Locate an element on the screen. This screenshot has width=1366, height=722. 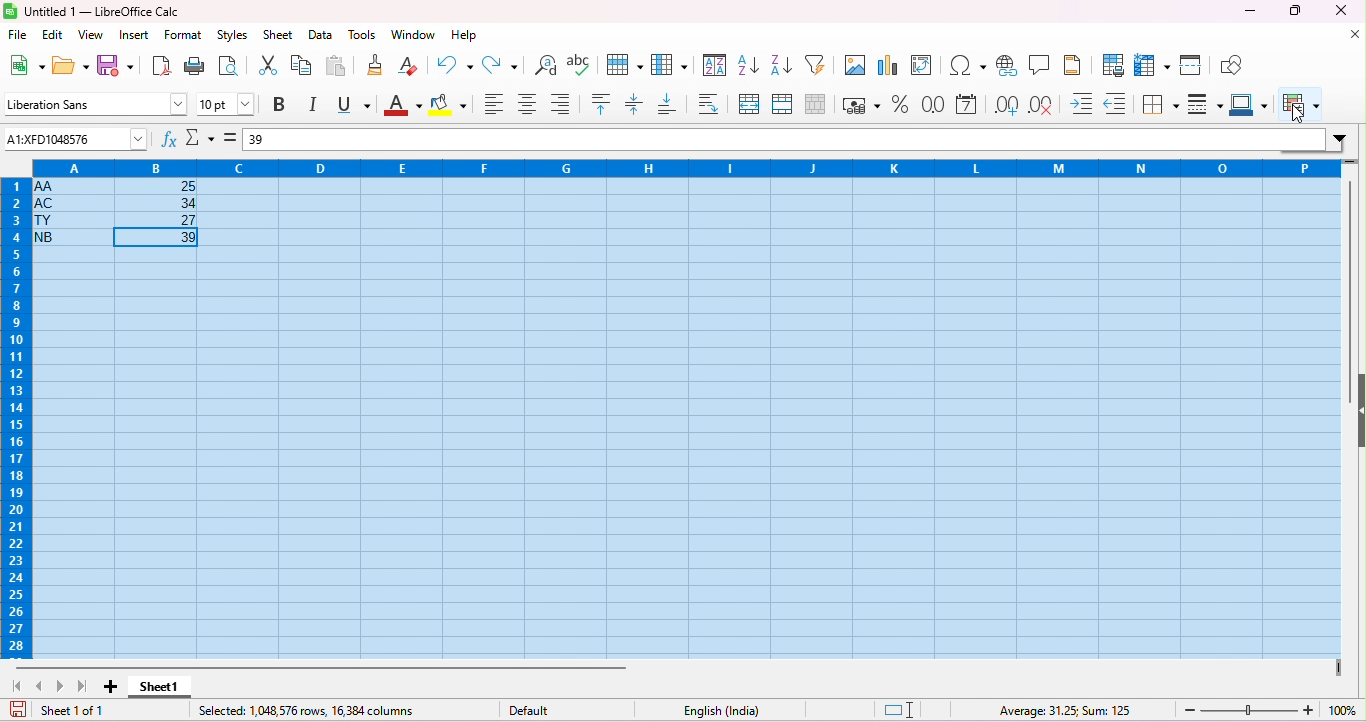
column headings is located at coordinates (678, 168).